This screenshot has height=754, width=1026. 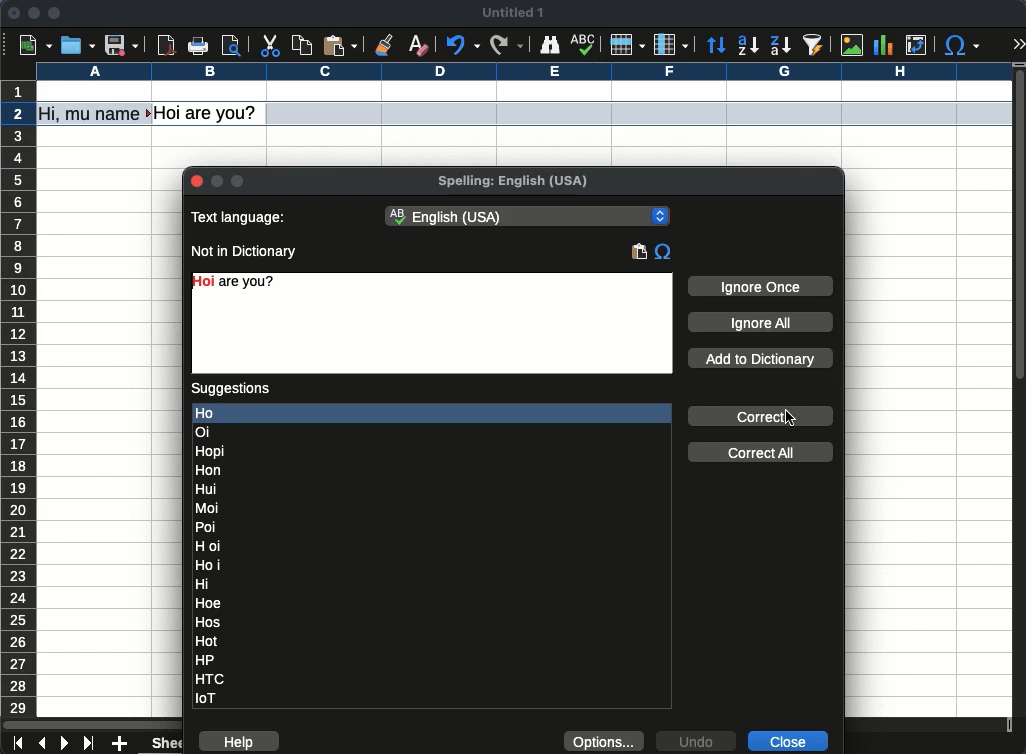 What do you see at coordinates (208, 489) in the screenshot?
I see `Hui` at bounding box center [208, 489].